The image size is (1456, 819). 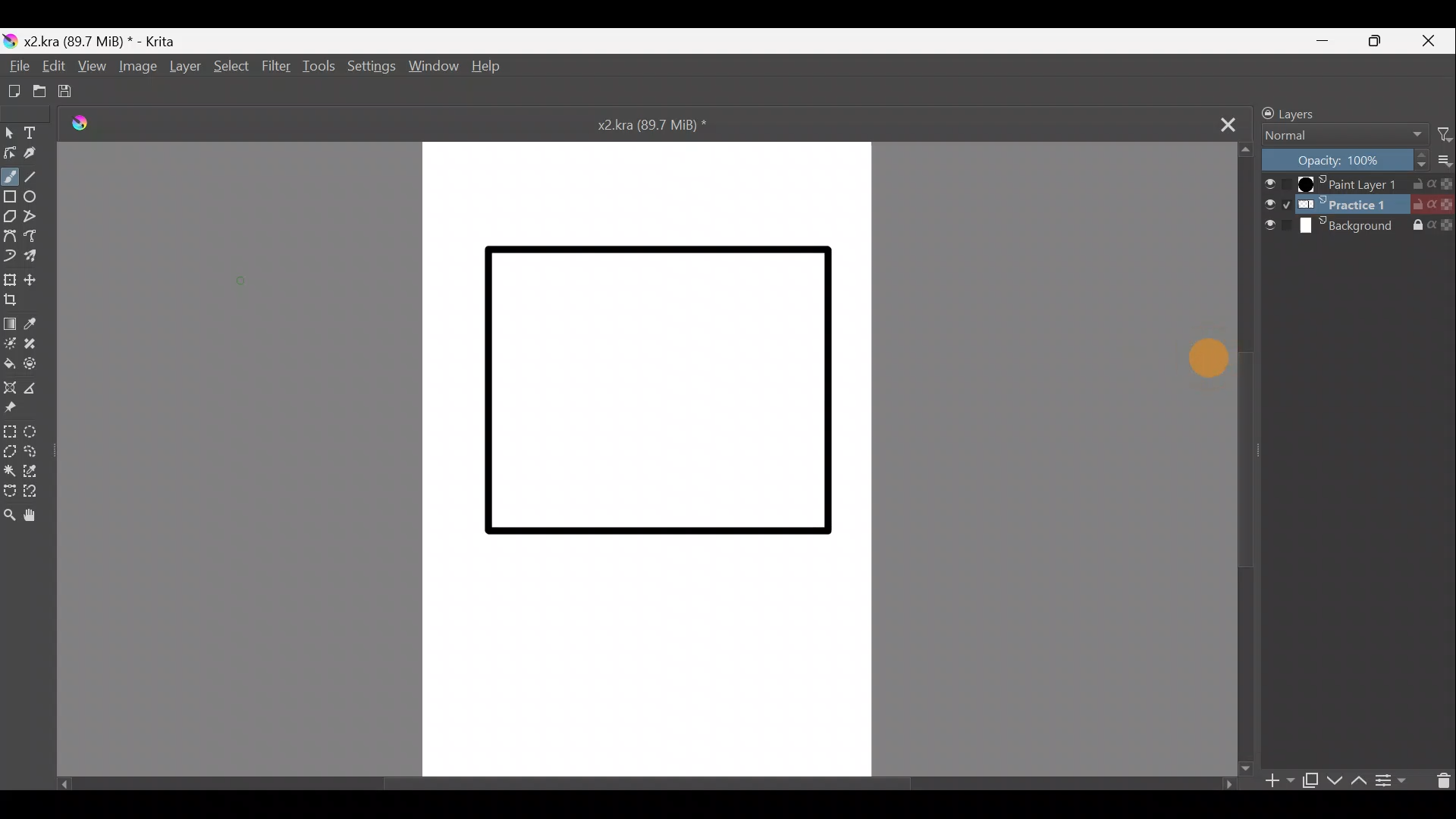 I want to click on Add layer, so click(x=1279, y=782).